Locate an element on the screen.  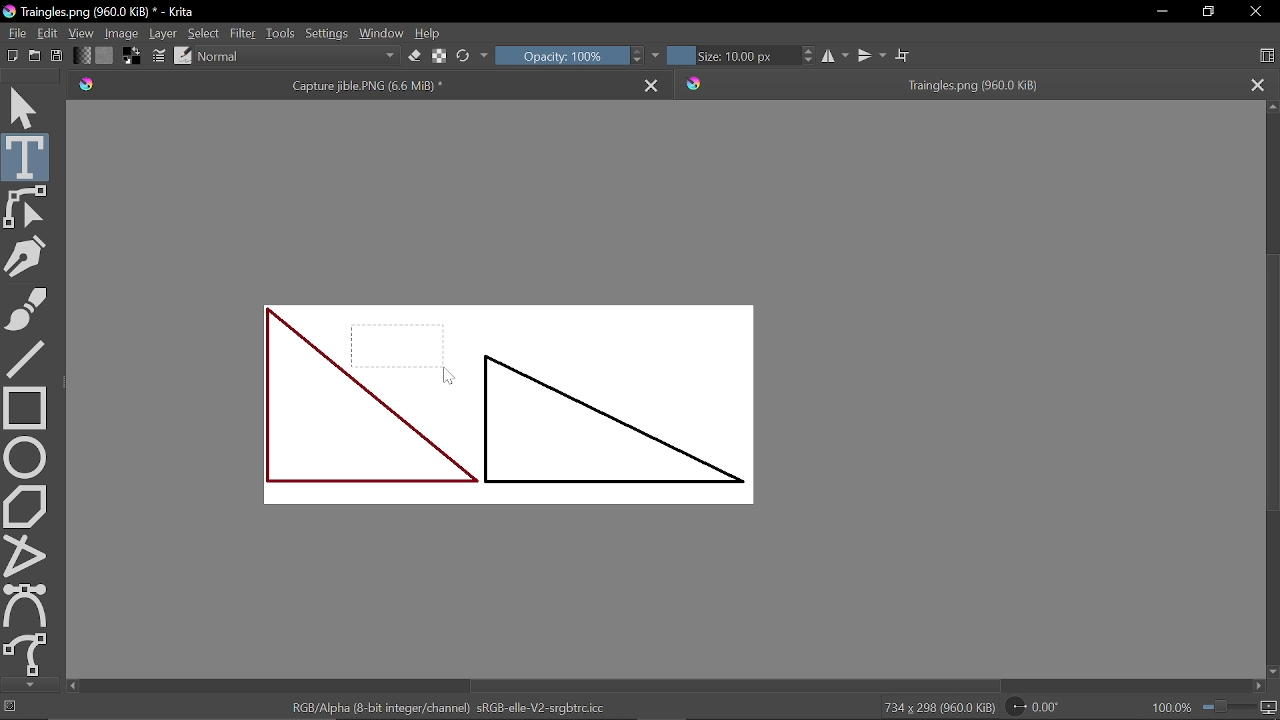
Filter is located at coordinates (243, 34).